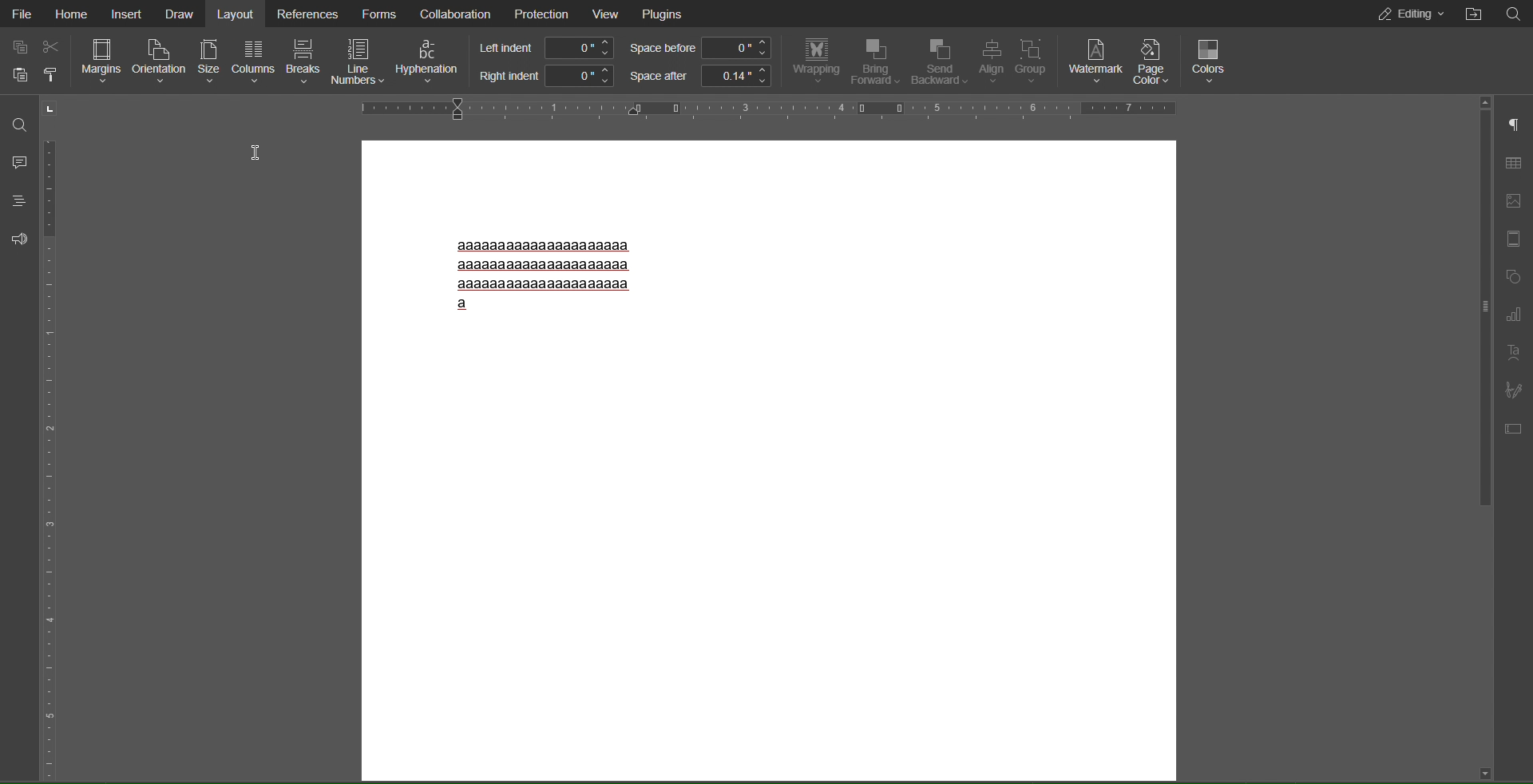 The image size is (1533, 784). Describe the element at coordinates (543, 48) in the screenshot. I see `Left Indents` at that location.